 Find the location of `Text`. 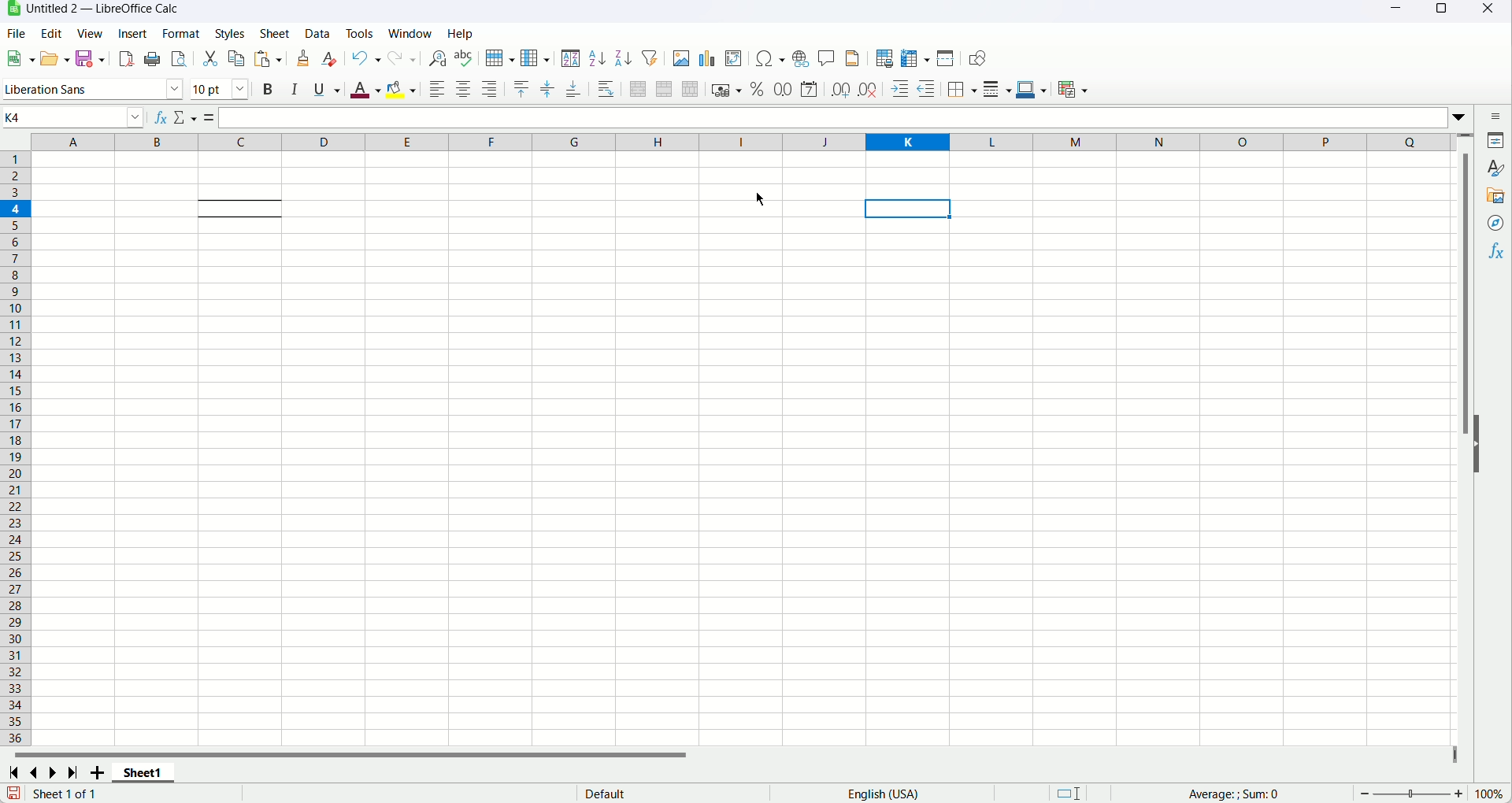

Text is located at coordinates (64, 794).